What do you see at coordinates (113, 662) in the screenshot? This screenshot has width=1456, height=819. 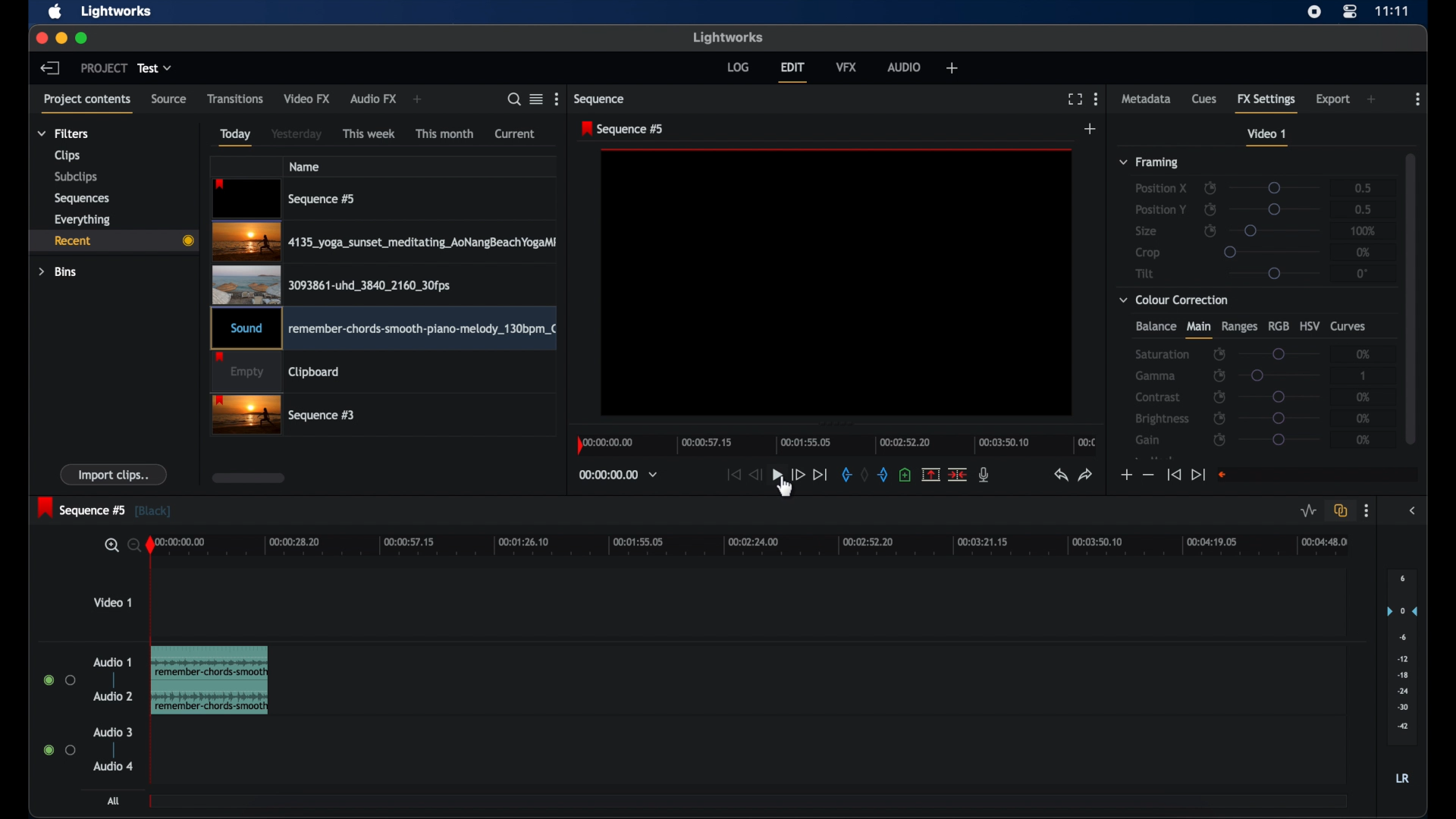 I see `audio 1` at bounding box center [113, 662].